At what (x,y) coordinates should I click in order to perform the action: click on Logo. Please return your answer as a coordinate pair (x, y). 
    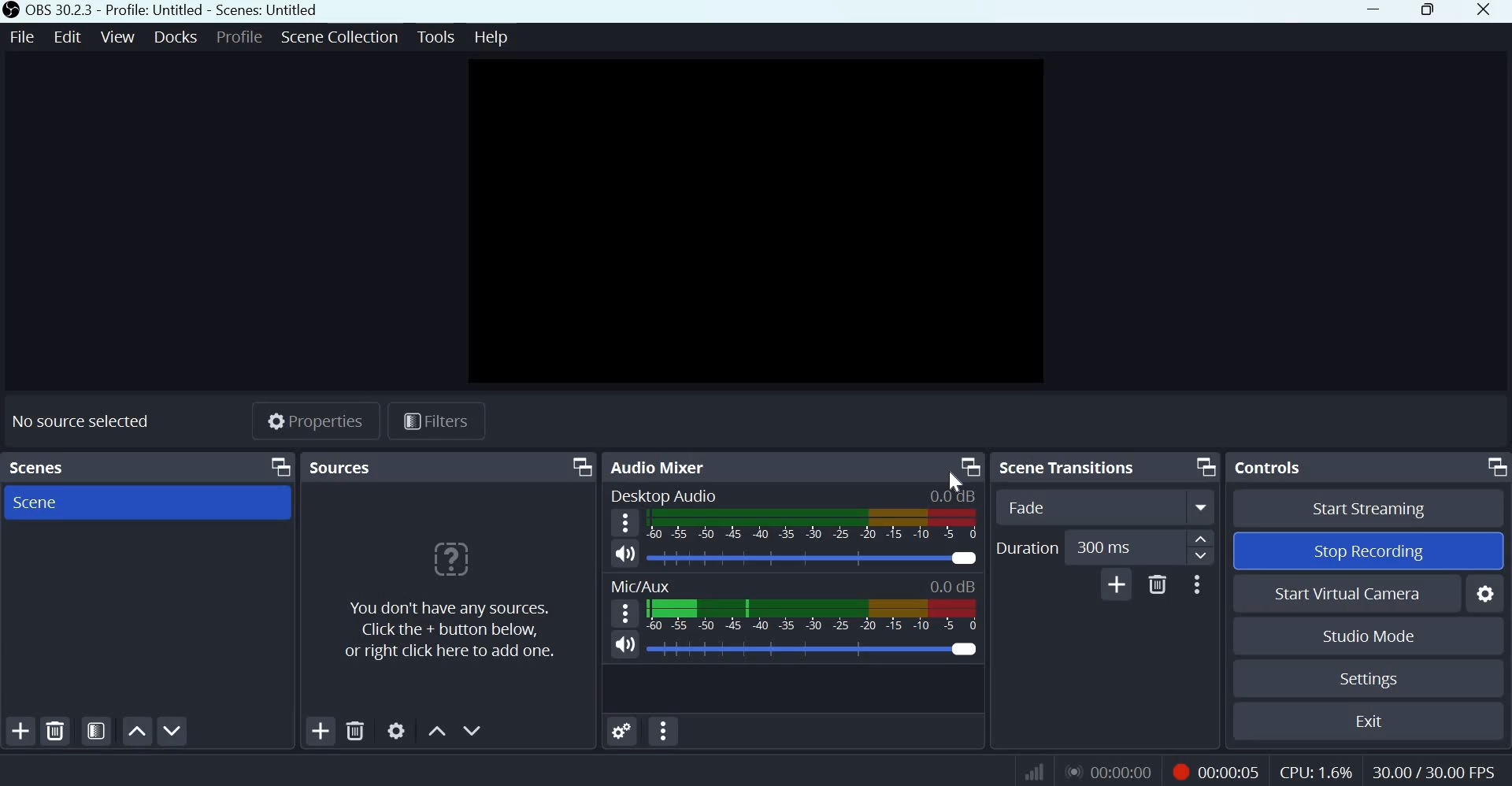
    Looking at the image, I should click on (11, 11).